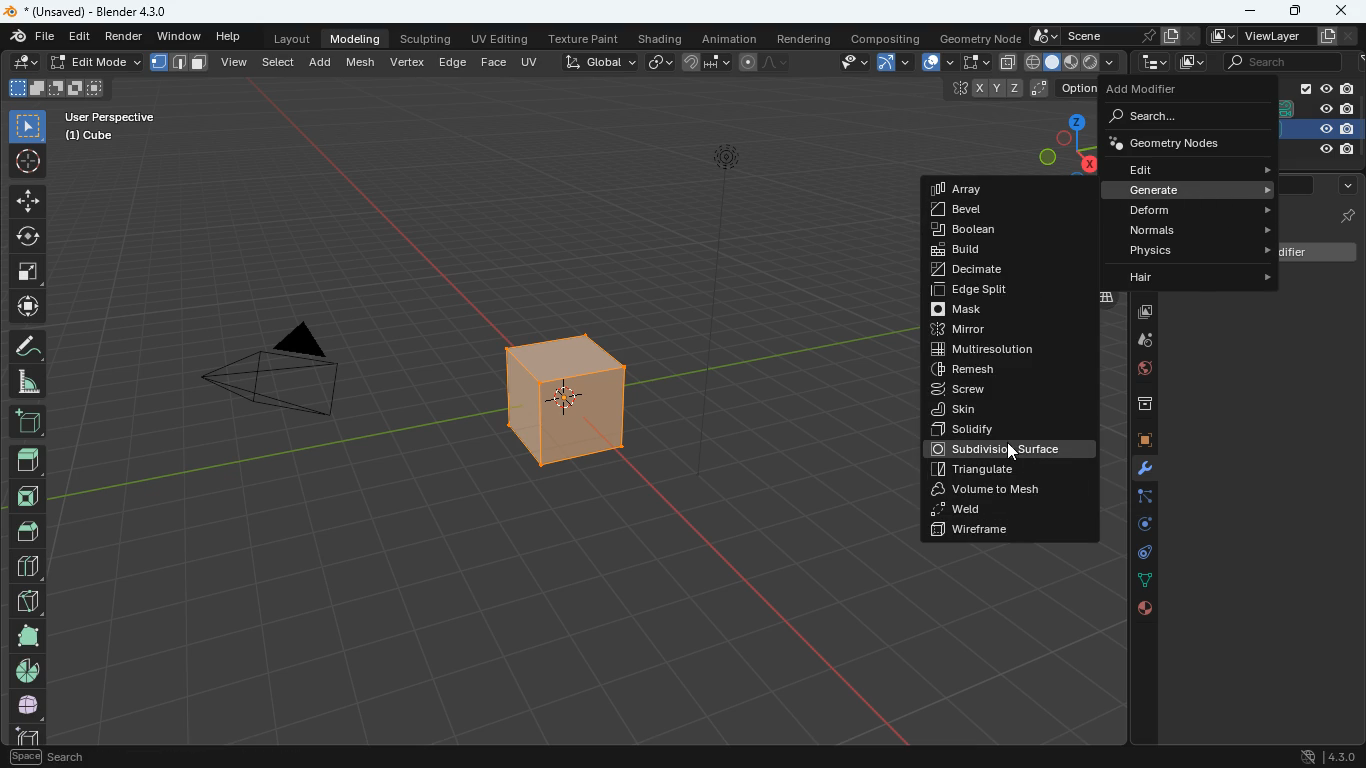 Image resolution: width=1366 pixels, height=768 pixels. I want to click on compositing, so click(884, 39).